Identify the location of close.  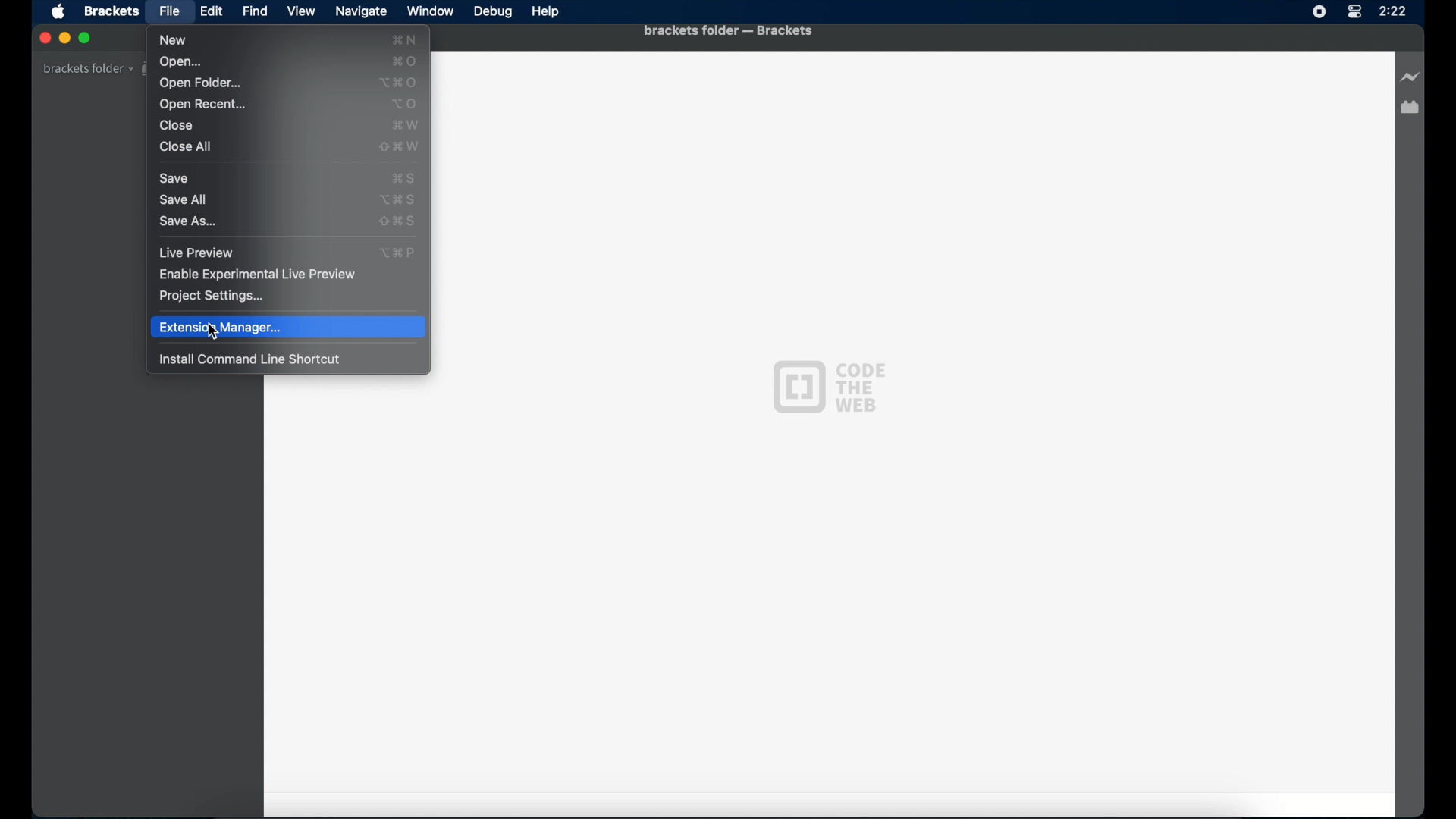
(177, 126).